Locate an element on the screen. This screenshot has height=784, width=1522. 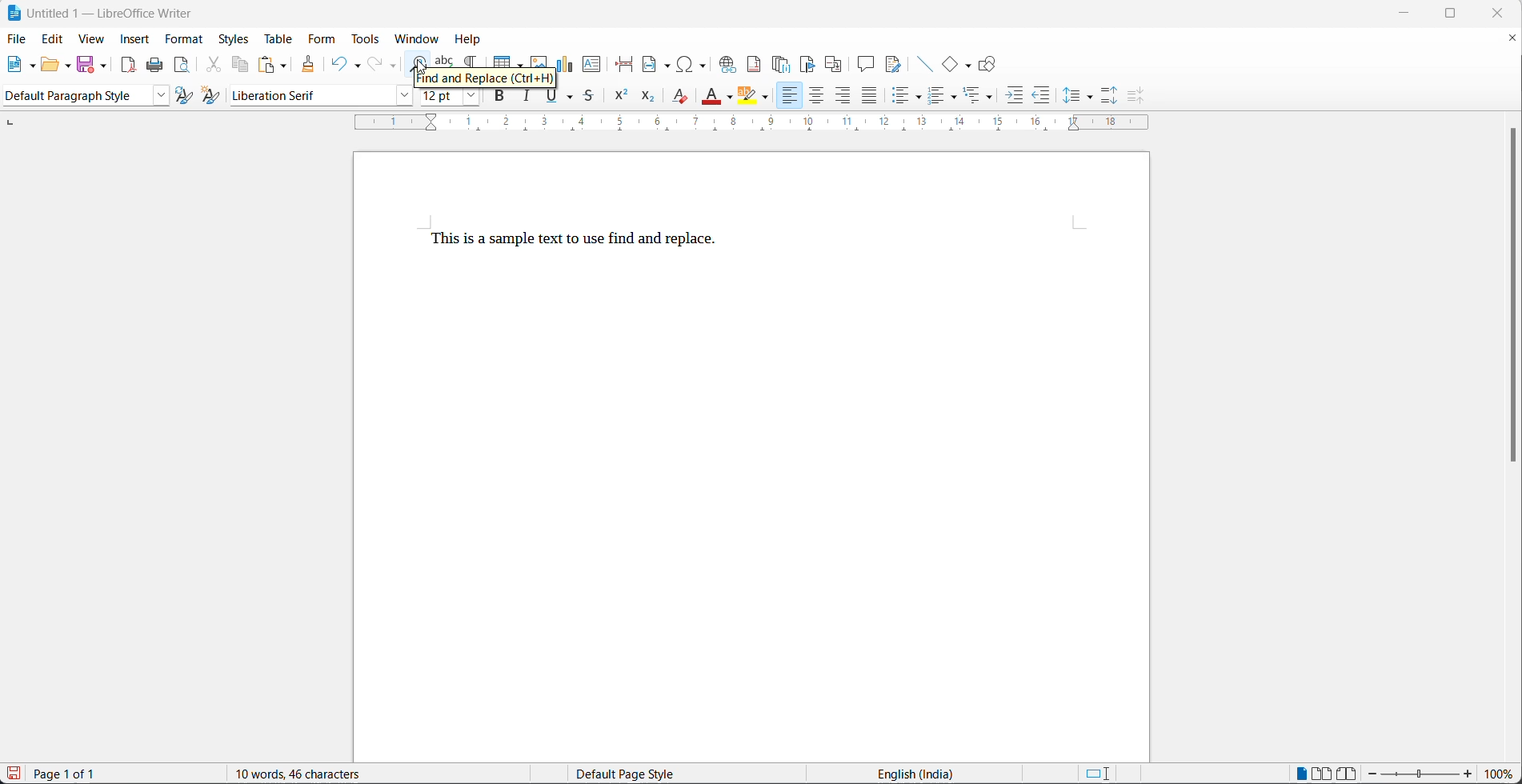
redo is located at coordinates (376, 64).